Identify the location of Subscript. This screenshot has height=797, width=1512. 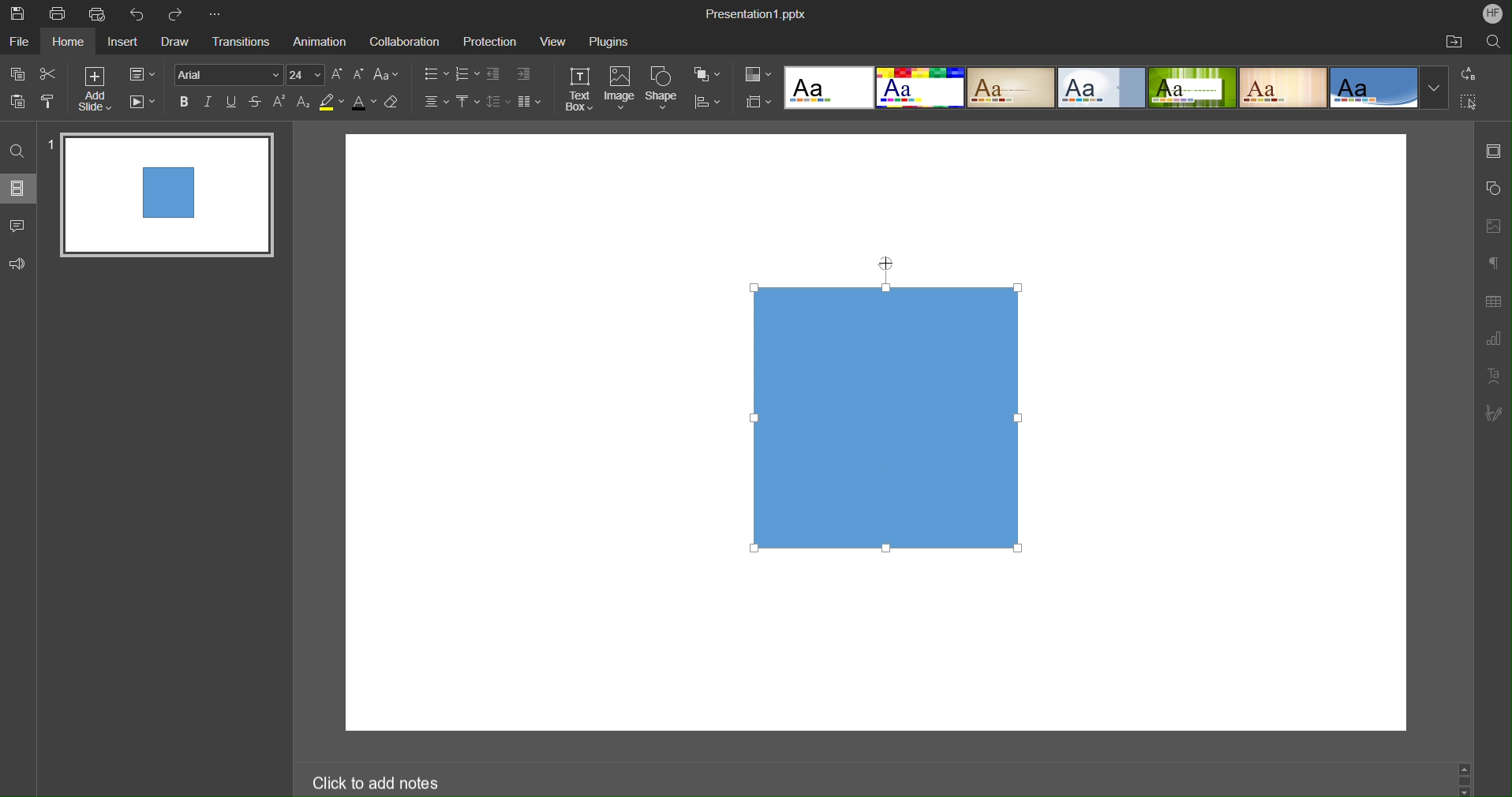
(304, 102).